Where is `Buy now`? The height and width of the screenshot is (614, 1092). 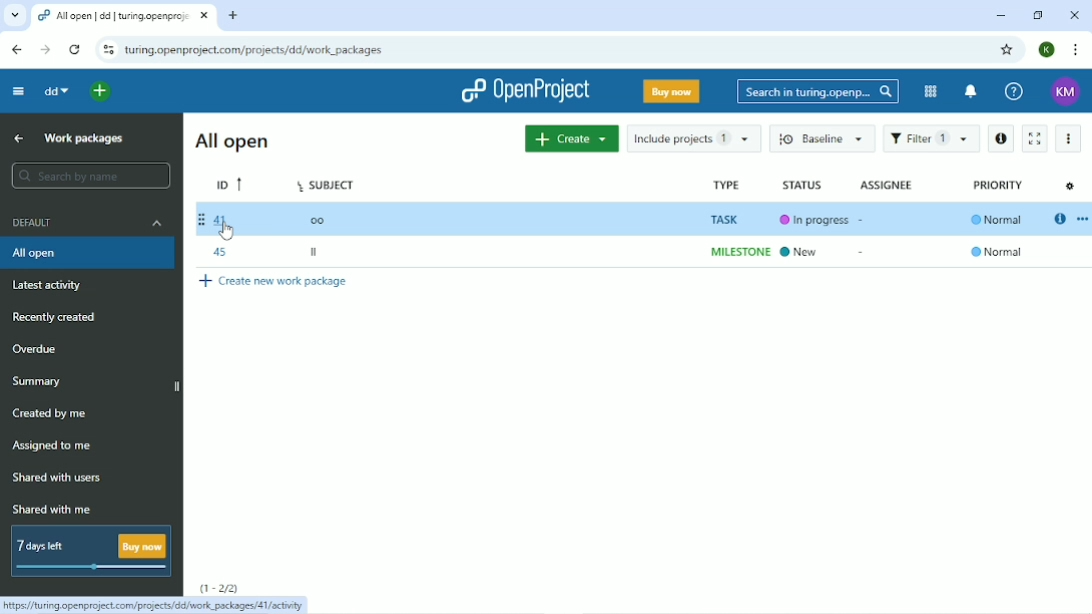 Buy now is located at coordinates (670, 91).